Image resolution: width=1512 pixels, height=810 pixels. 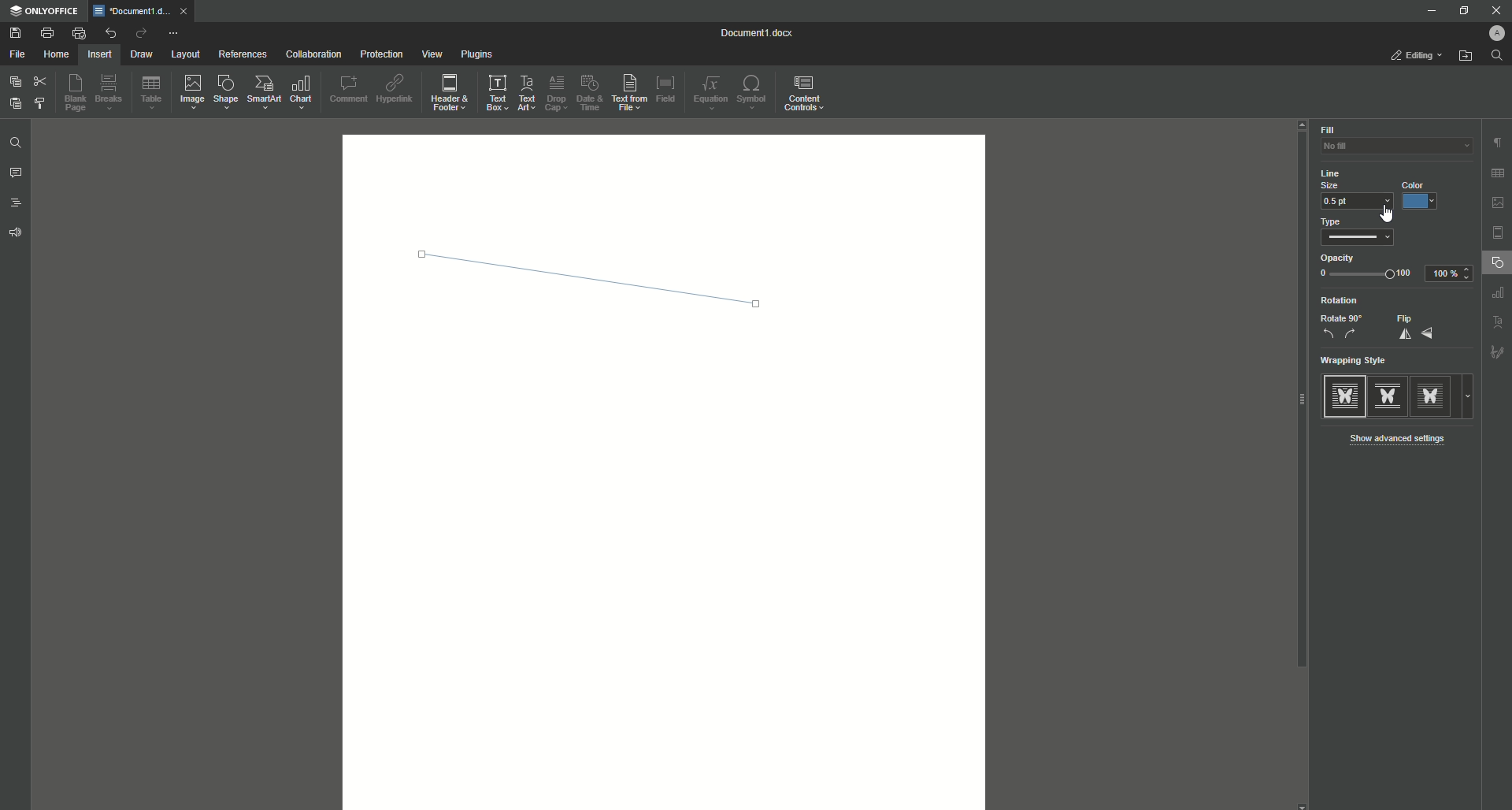 I want to click on 100%, so click(x=1451, y=273).